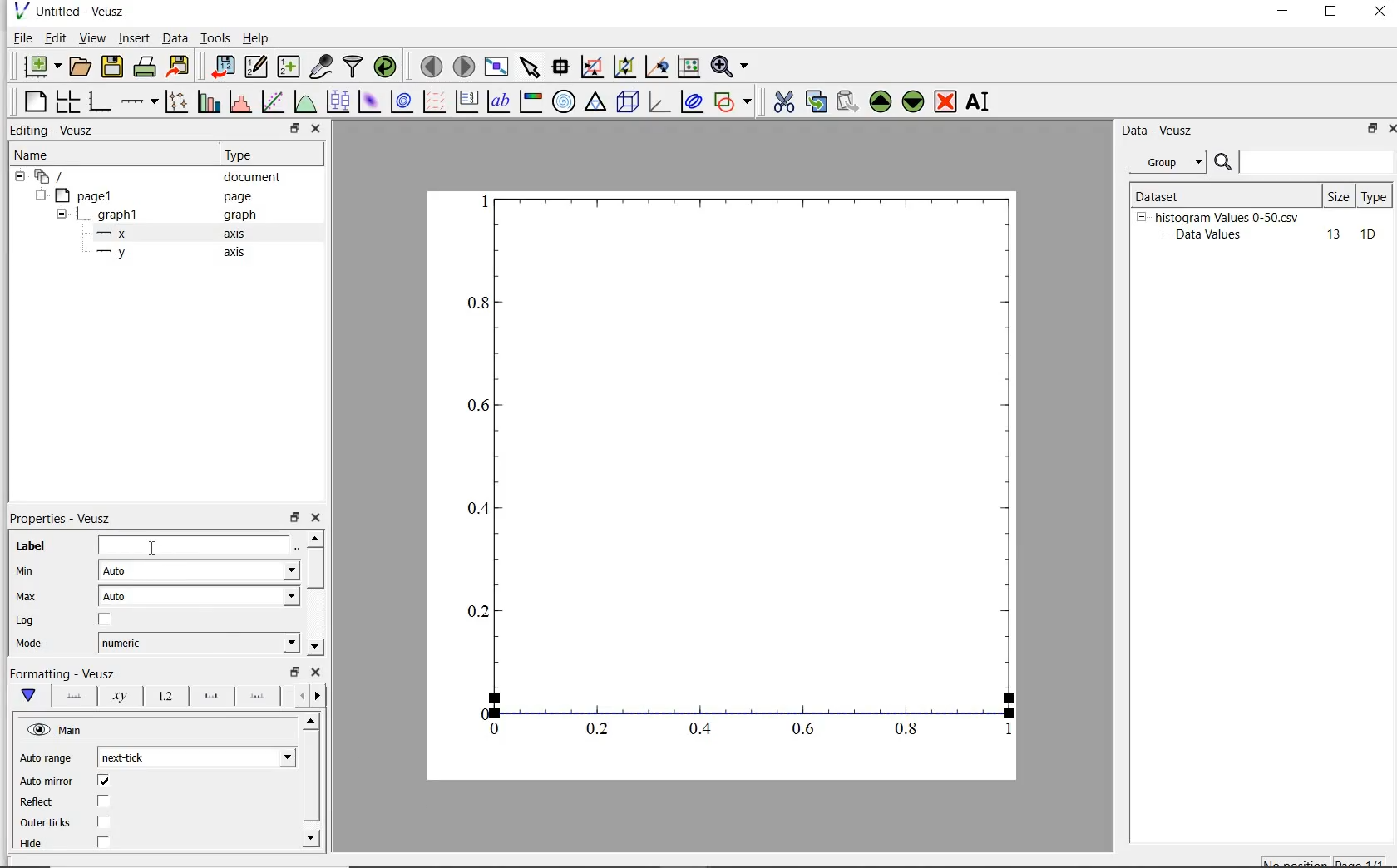 The height and width of the screenshot is (868, 1397). What do you see at coordinates (47, 780) in the screenshot?
I see `‘Auto mirror` at bounding box center [47, 780].